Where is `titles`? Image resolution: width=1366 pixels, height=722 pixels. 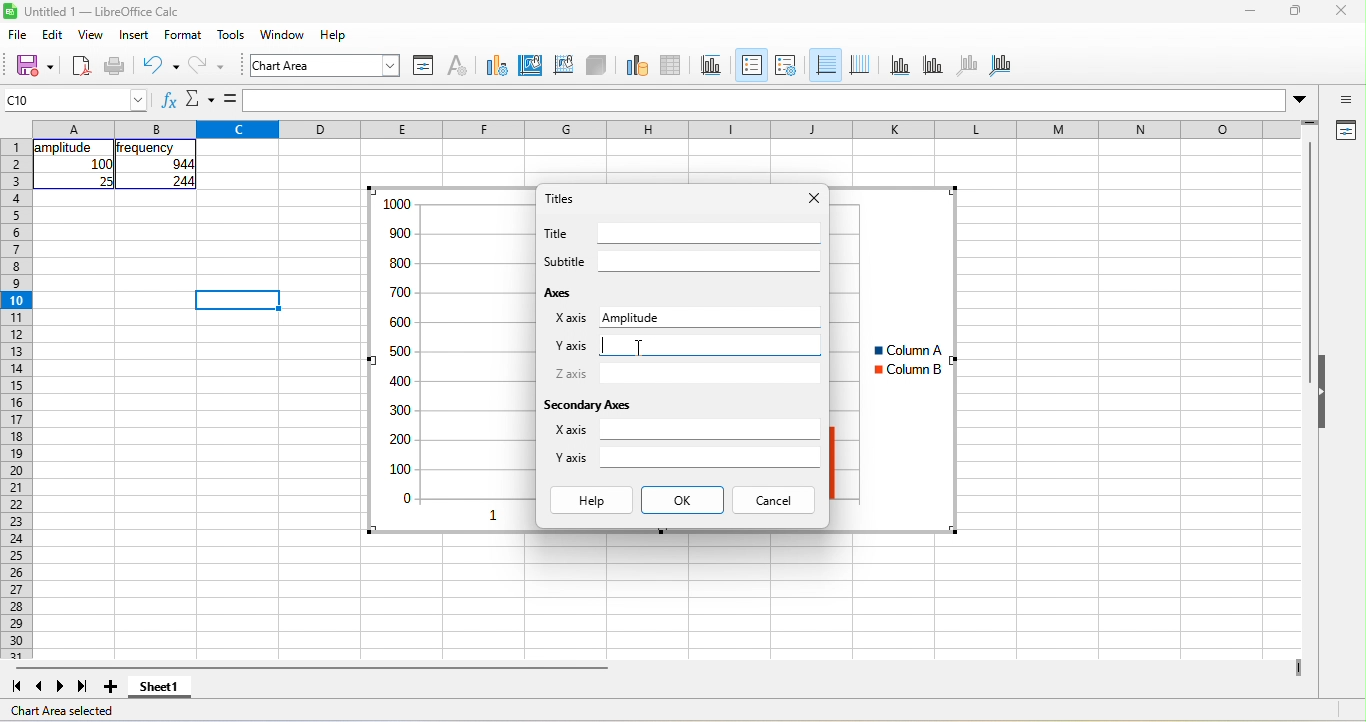 titles is located at coordinates (560, 198).